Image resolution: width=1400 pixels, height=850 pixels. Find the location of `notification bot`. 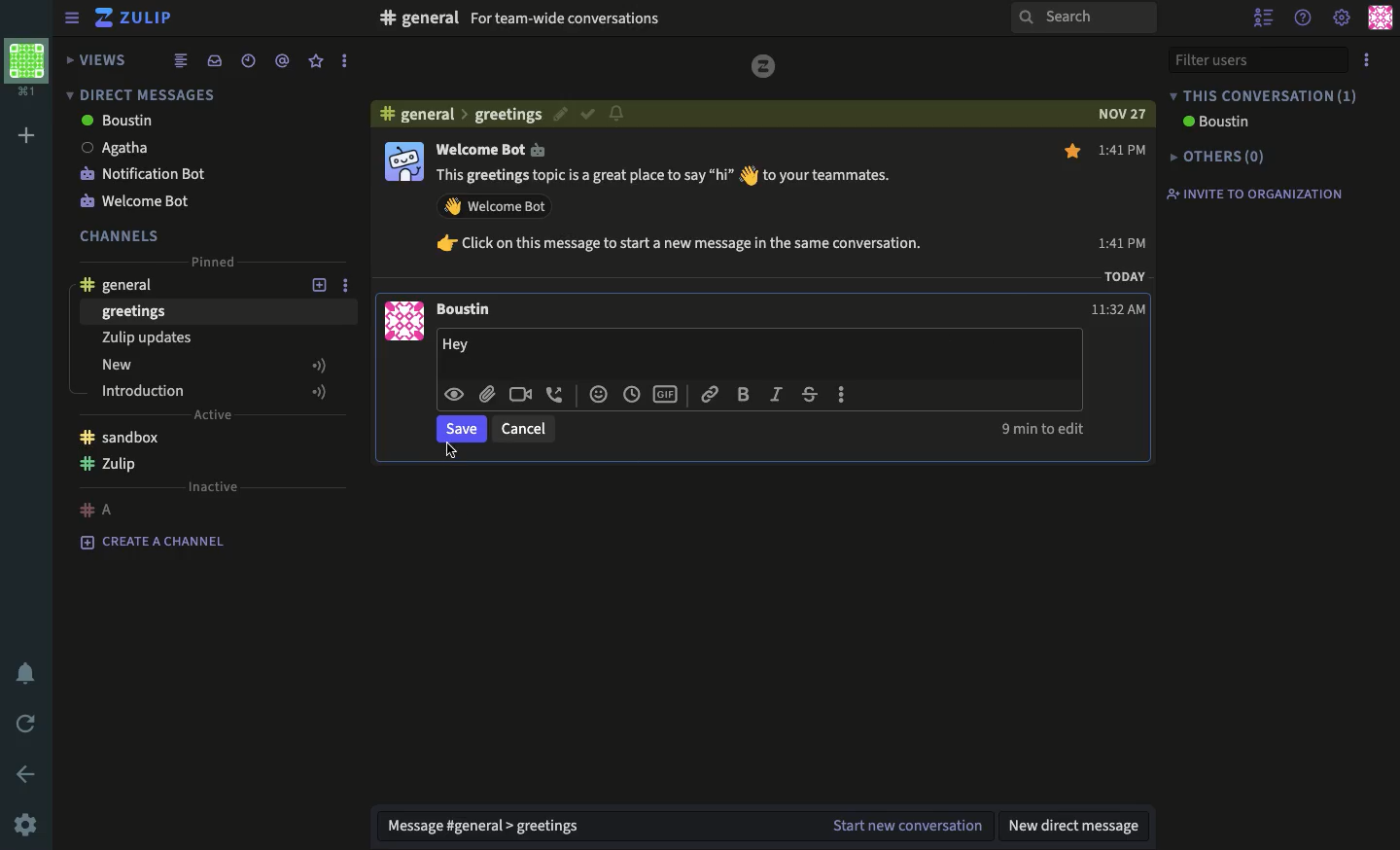

notification bot is located at coordinates (142, 199).